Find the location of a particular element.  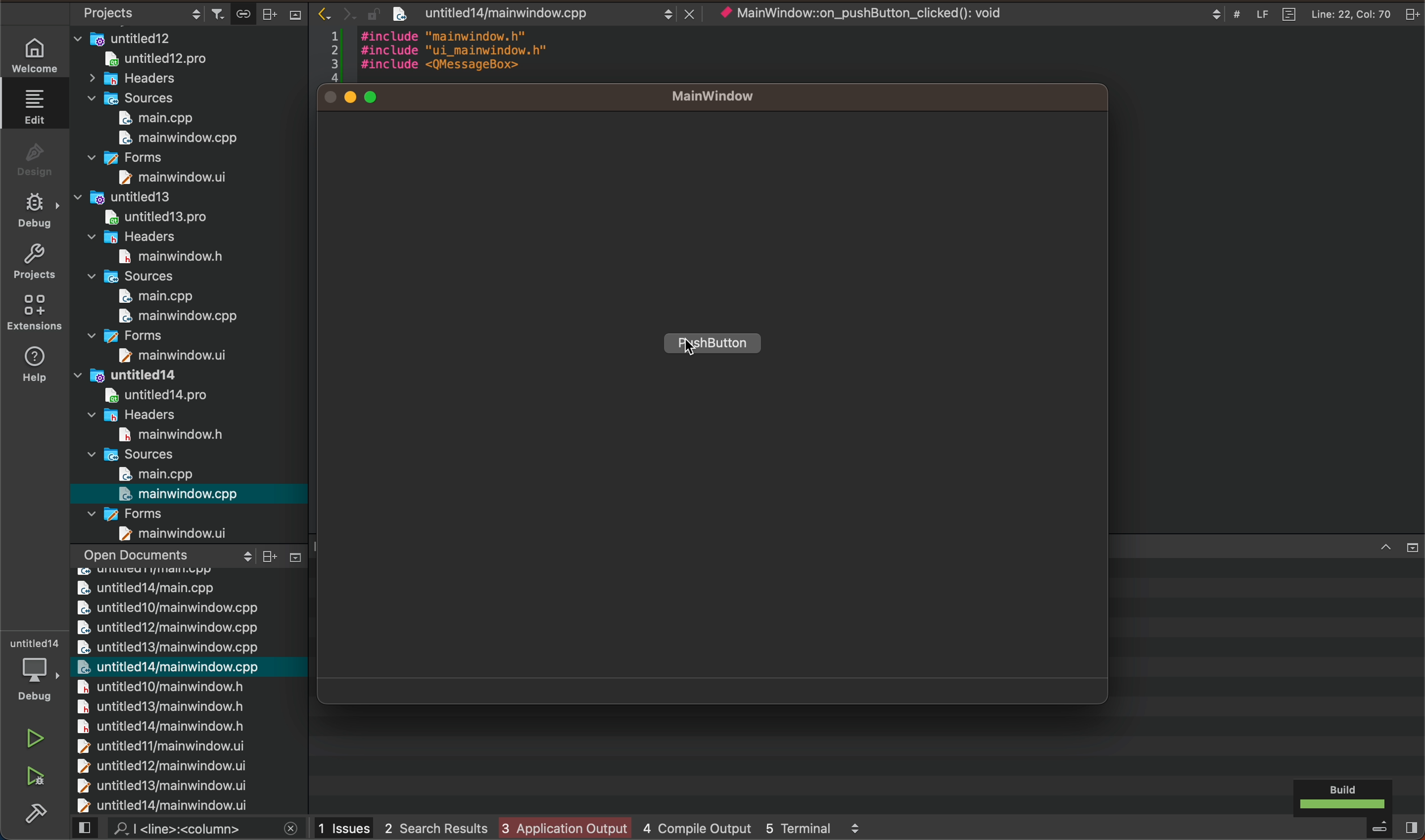

main window.cpp is located at coordinates (180, 494).